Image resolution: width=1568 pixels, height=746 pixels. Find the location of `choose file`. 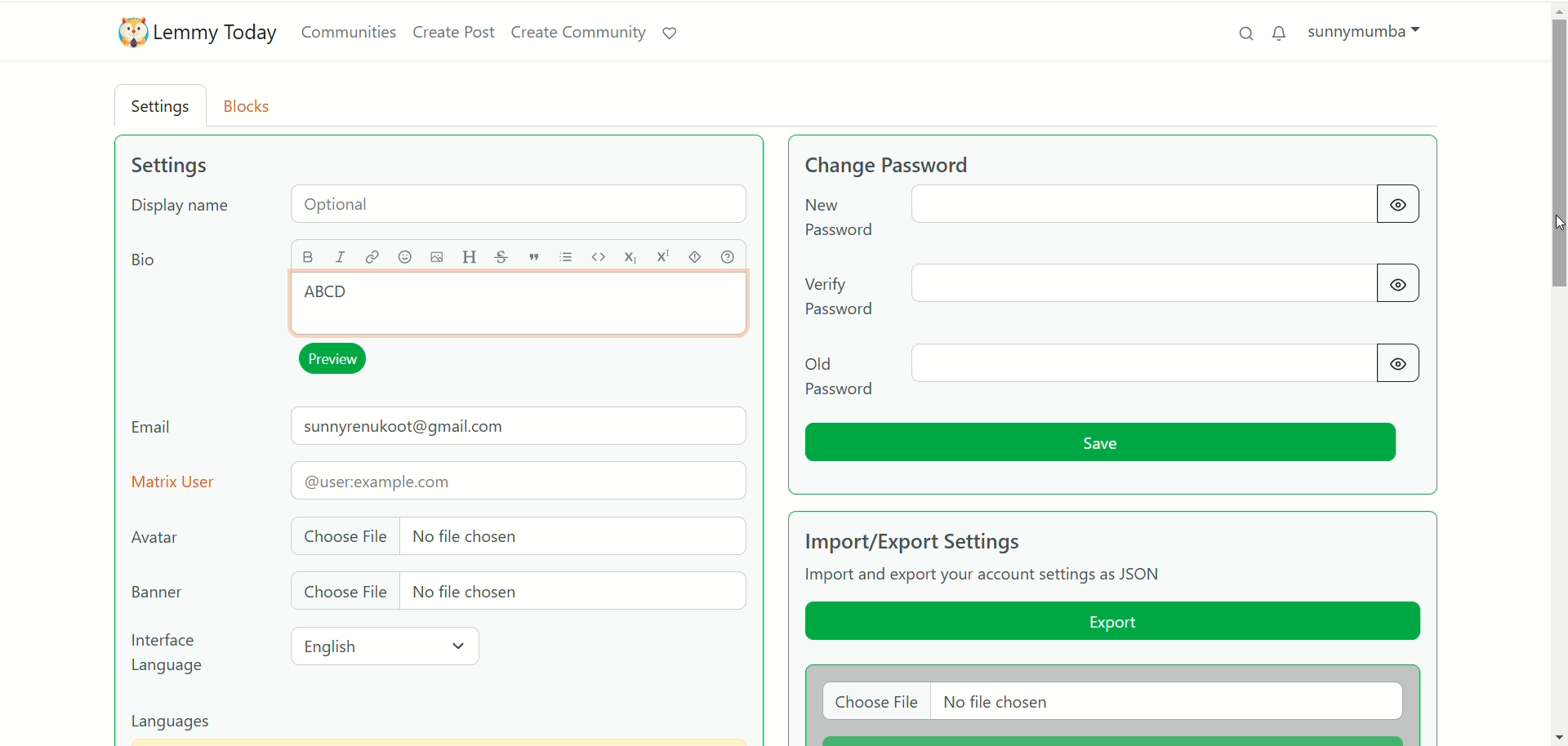

choose file is located at coordinates (514, 593).